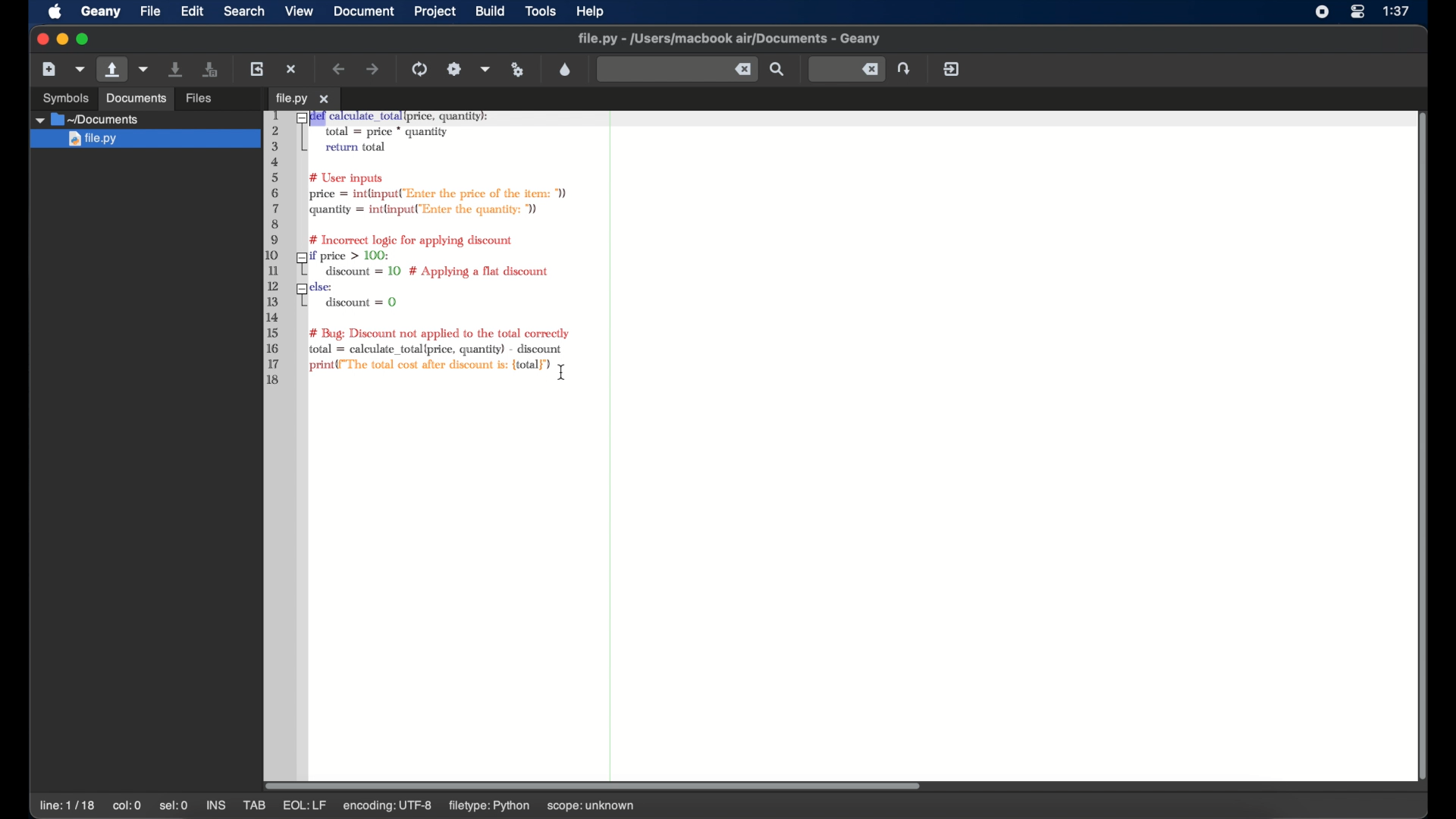 The width and height of the screenshot is (1456, 819). I want to click on find the entered text in the current file, so click(778, 70).